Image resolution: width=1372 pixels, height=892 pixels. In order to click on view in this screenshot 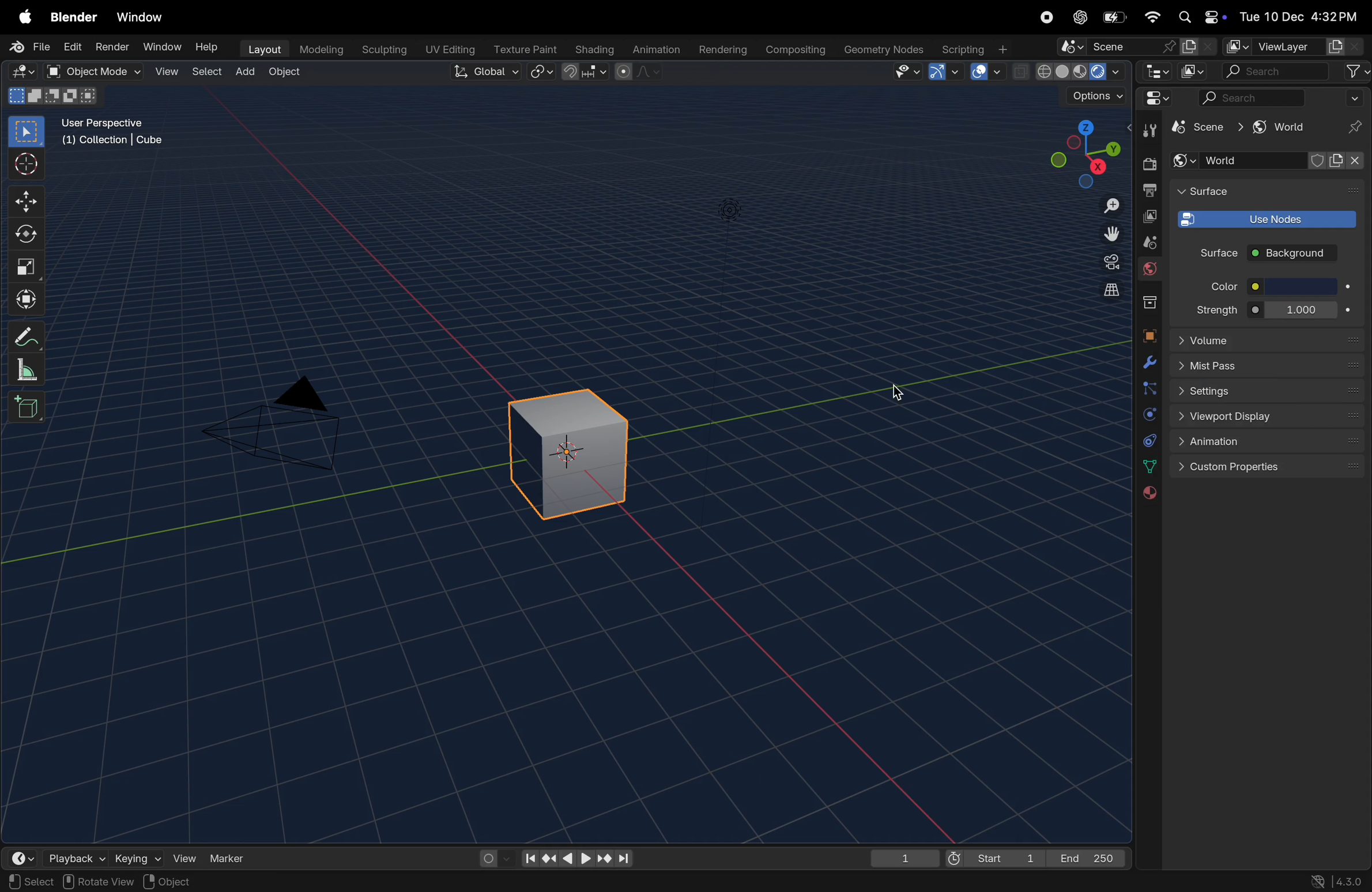, I will do `click(184, 856)`.